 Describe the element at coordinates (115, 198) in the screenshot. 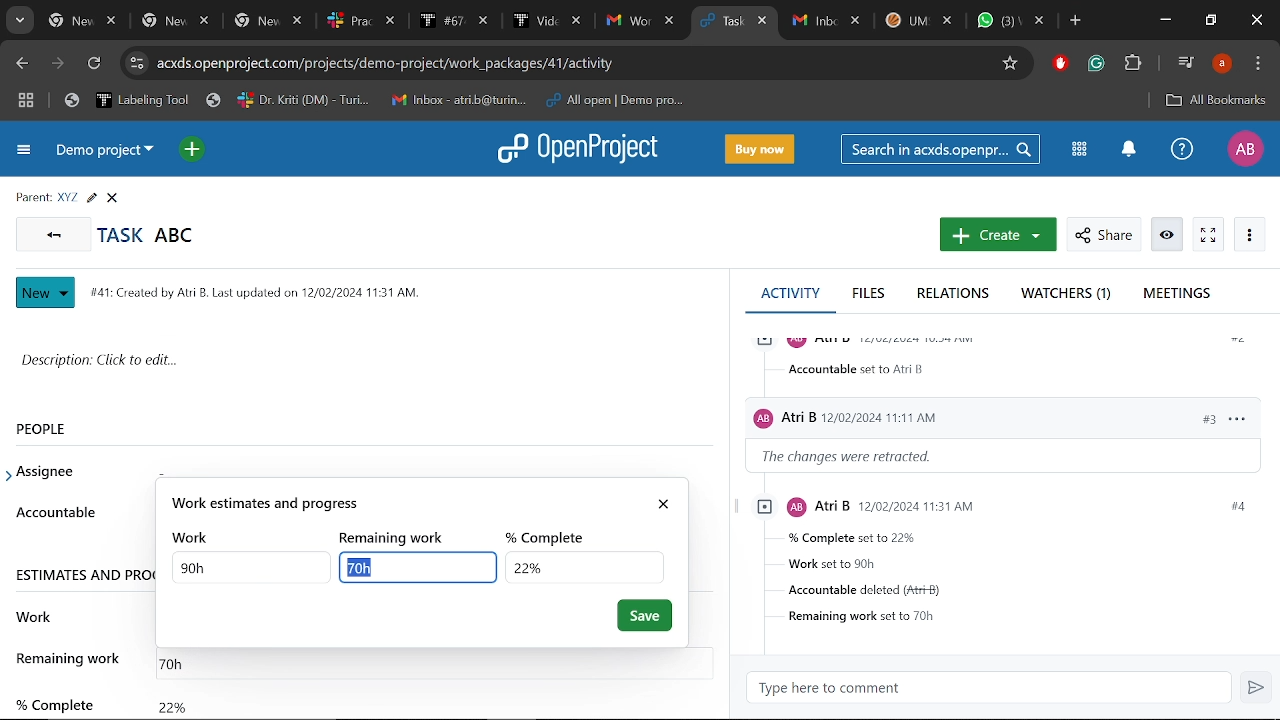

I see `CLose` at that location.